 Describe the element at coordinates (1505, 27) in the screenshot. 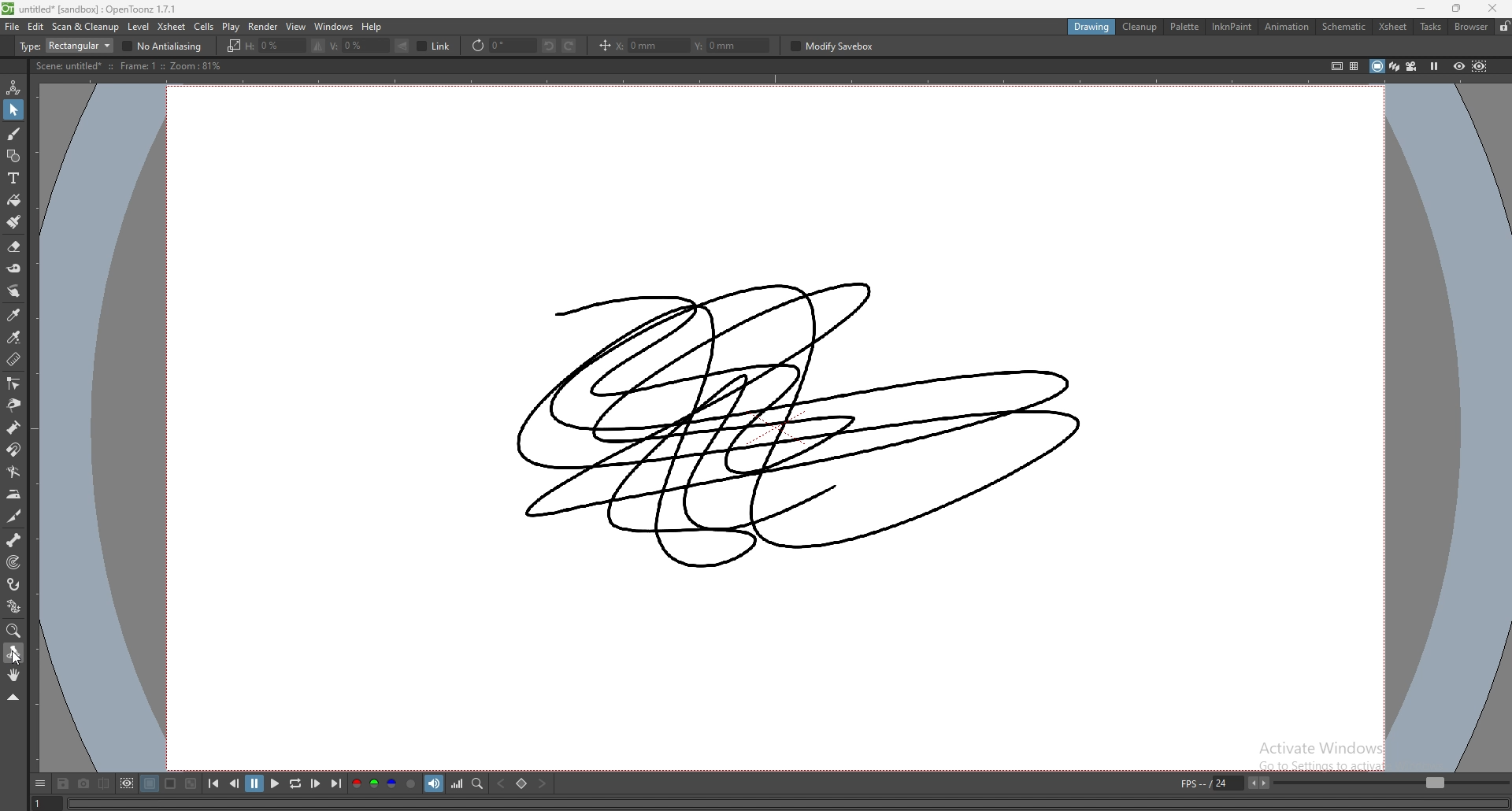

I see `lock` at that location.